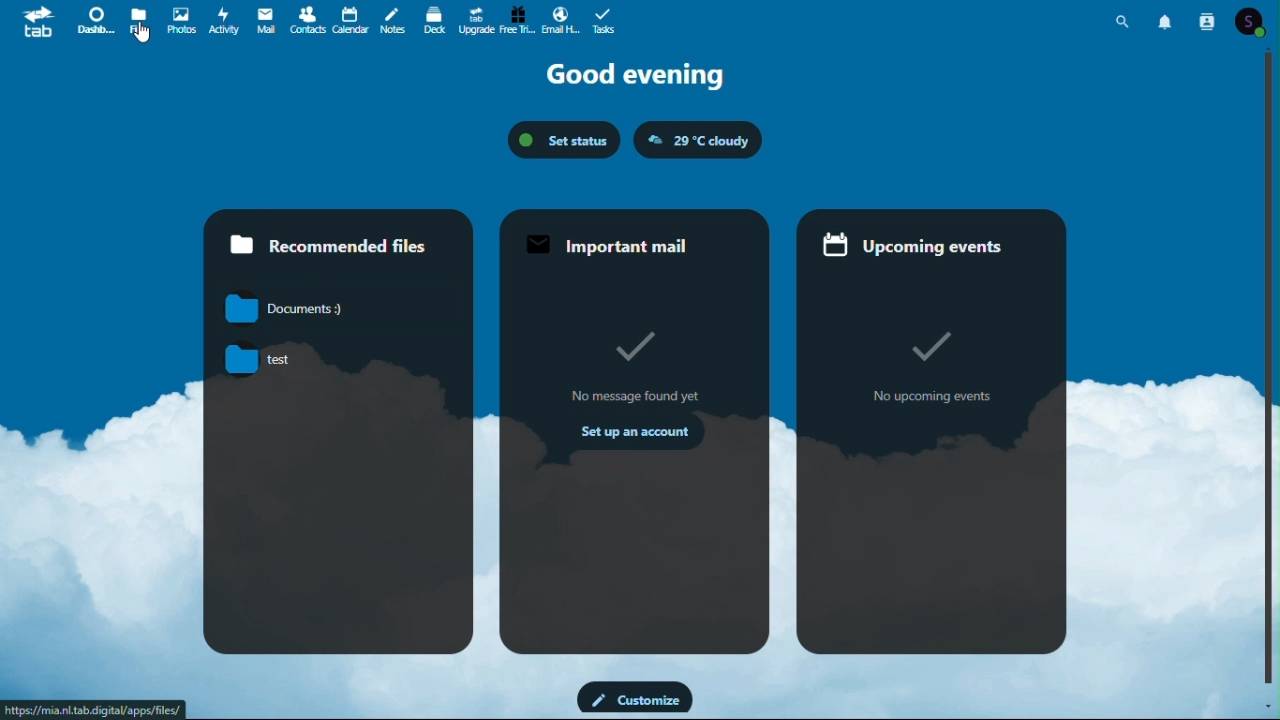  What do you see at coordinates (635, 74) in the screenshot?
I see `good evening` at bounding box center [635, 74].